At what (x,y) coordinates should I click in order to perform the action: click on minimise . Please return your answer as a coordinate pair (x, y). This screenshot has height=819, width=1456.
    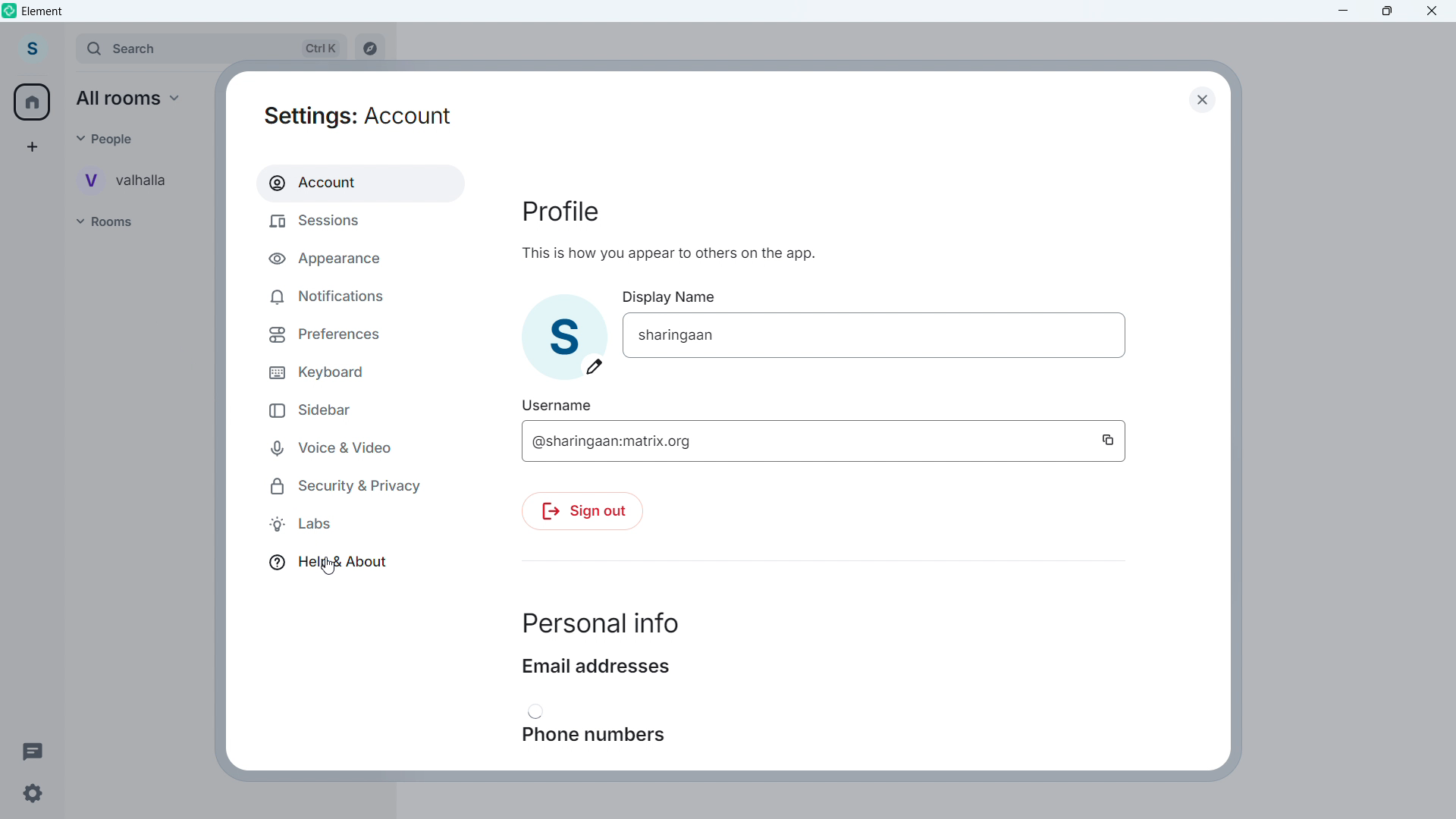
    Looking at the image, I should click on (1344, 11).